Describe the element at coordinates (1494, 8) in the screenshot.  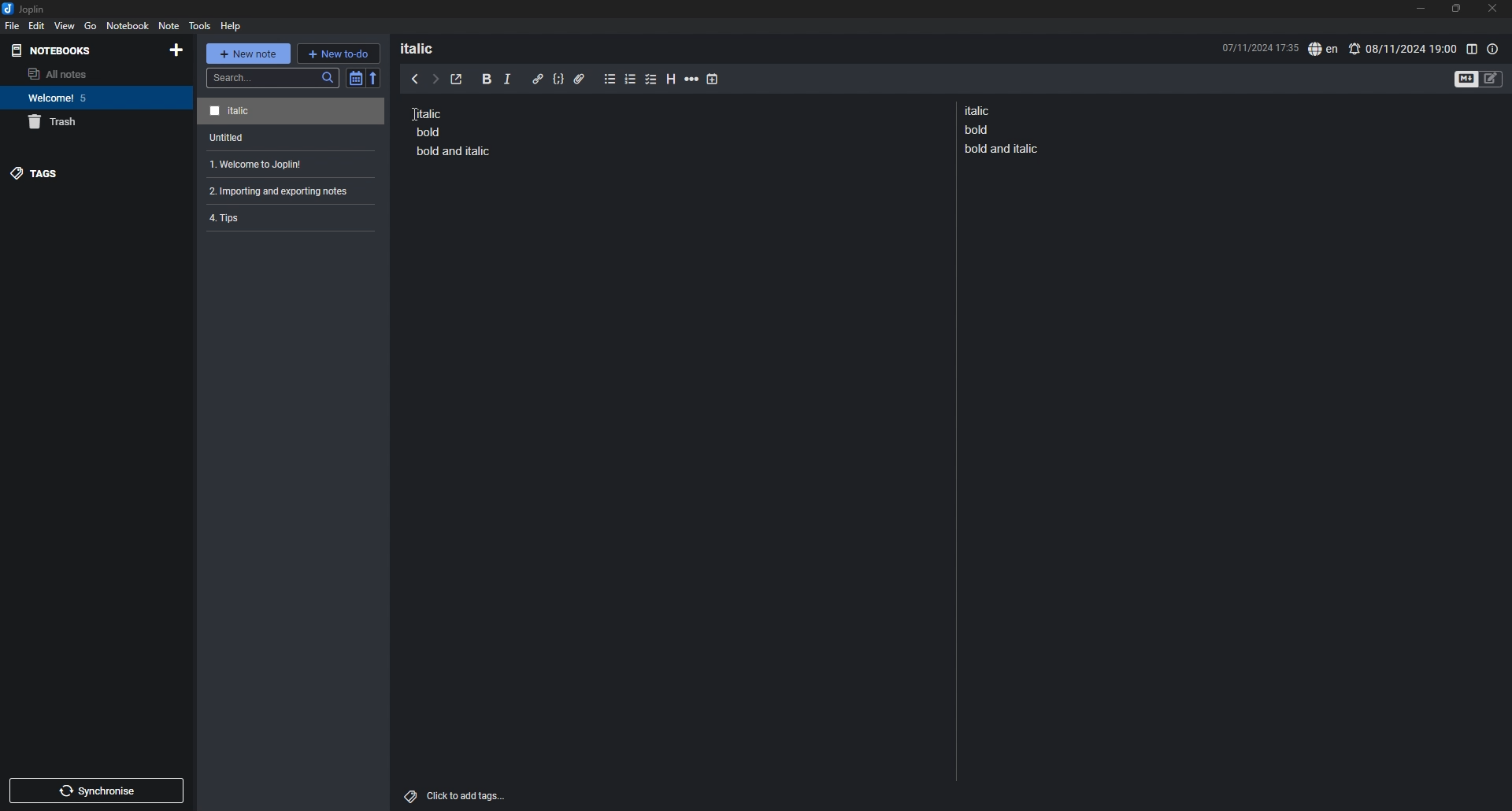
I see `close` at that location.